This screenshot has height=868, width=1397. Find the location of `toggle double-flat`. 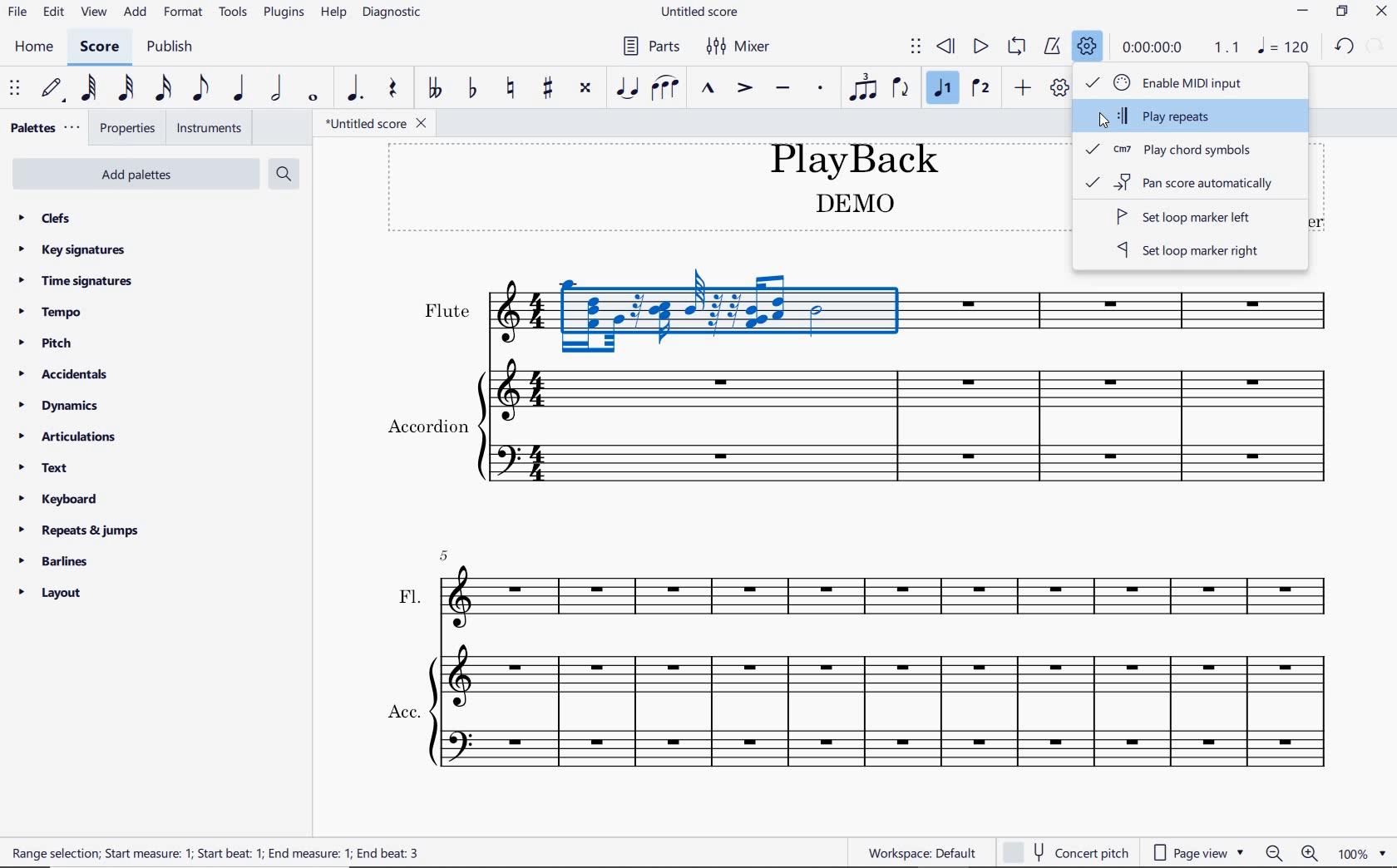

toggle double-flat is located at coordinates (433, 87).